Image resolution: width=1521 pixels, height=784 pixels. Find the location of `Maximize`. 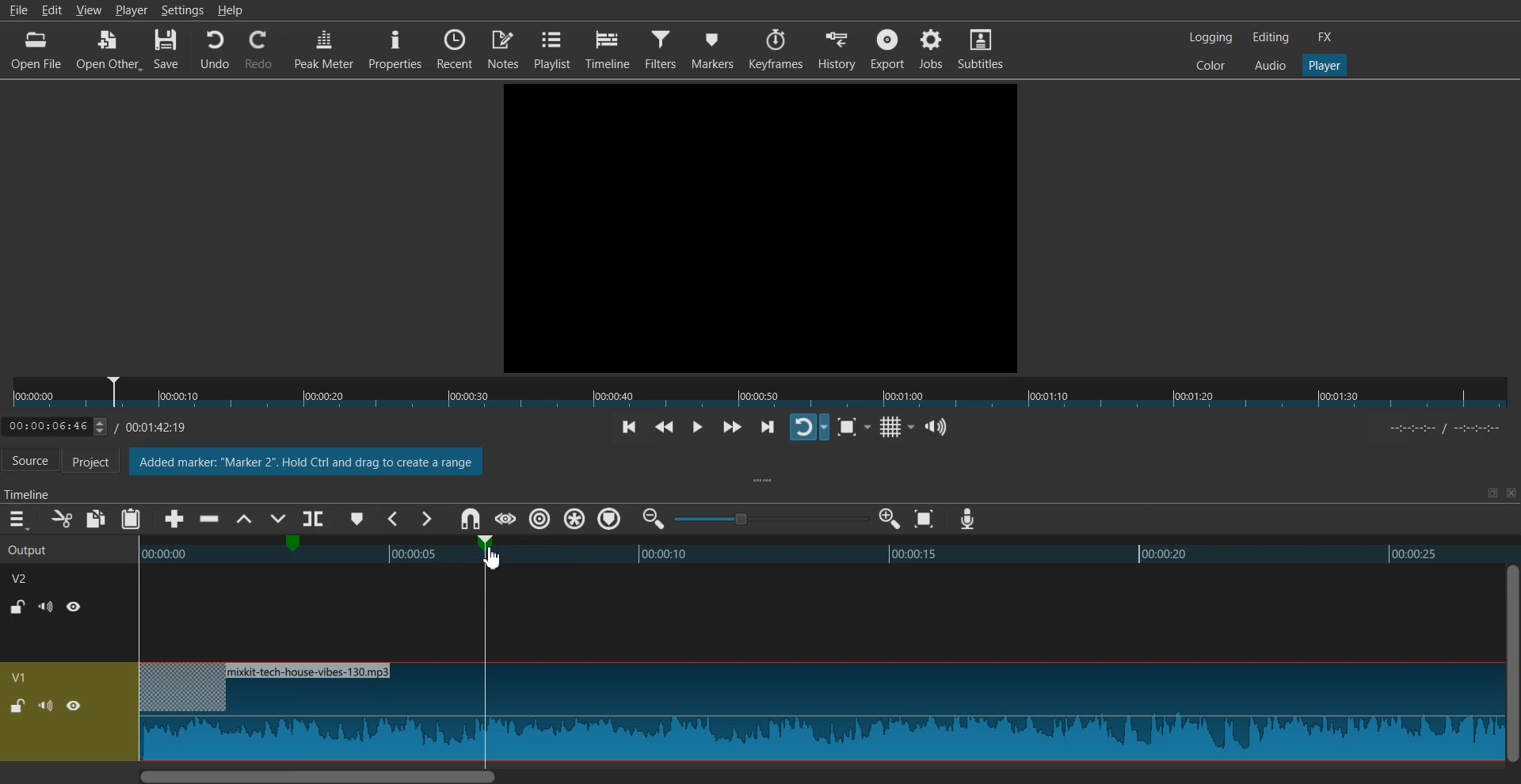

Maximize is located at coordinates (1492, 493).